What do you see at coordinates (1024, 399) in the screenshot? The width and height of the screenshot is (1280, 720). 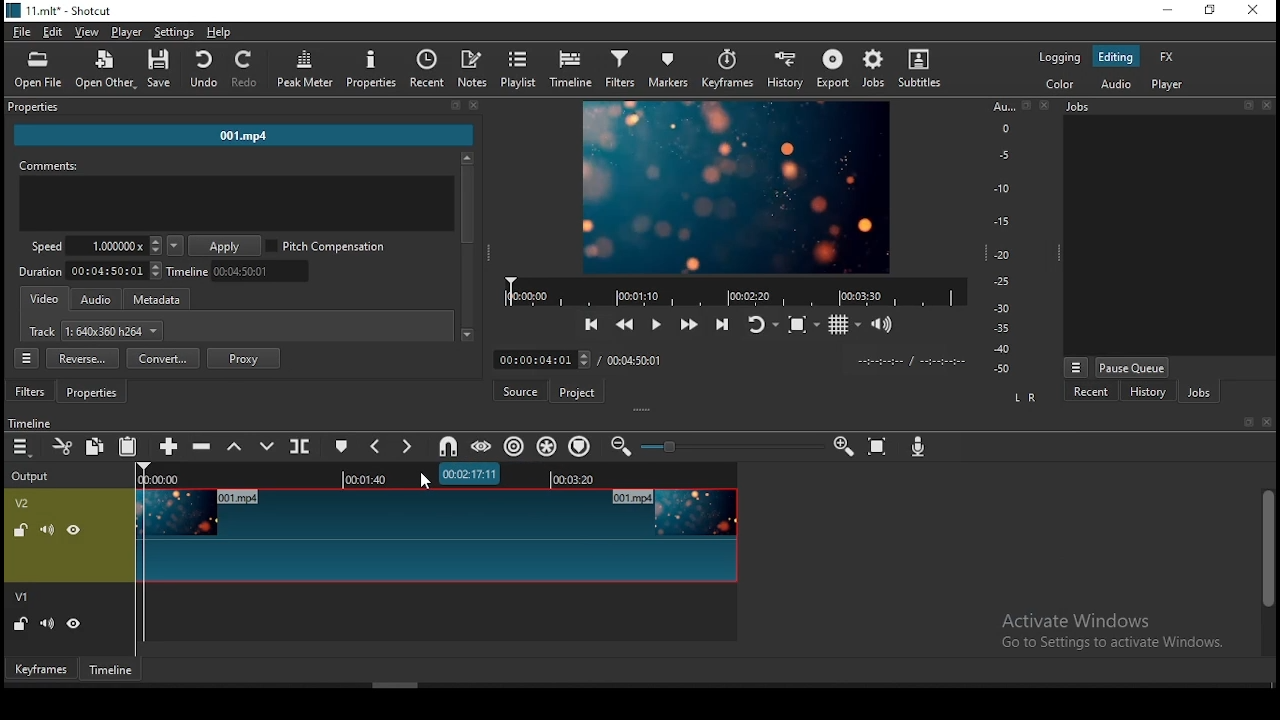 I see `L R` at bounding box center [1024, 399].